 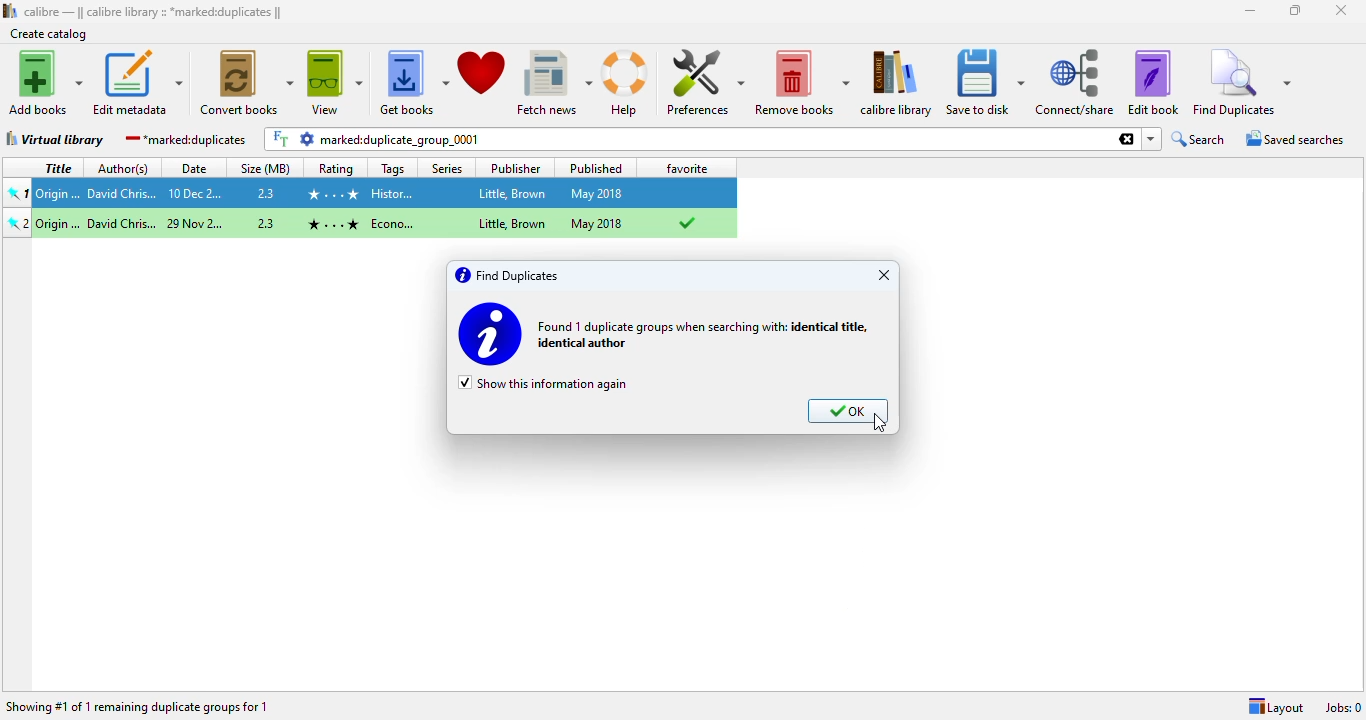 I want to click on minimize, so click(x=1251, y=11).